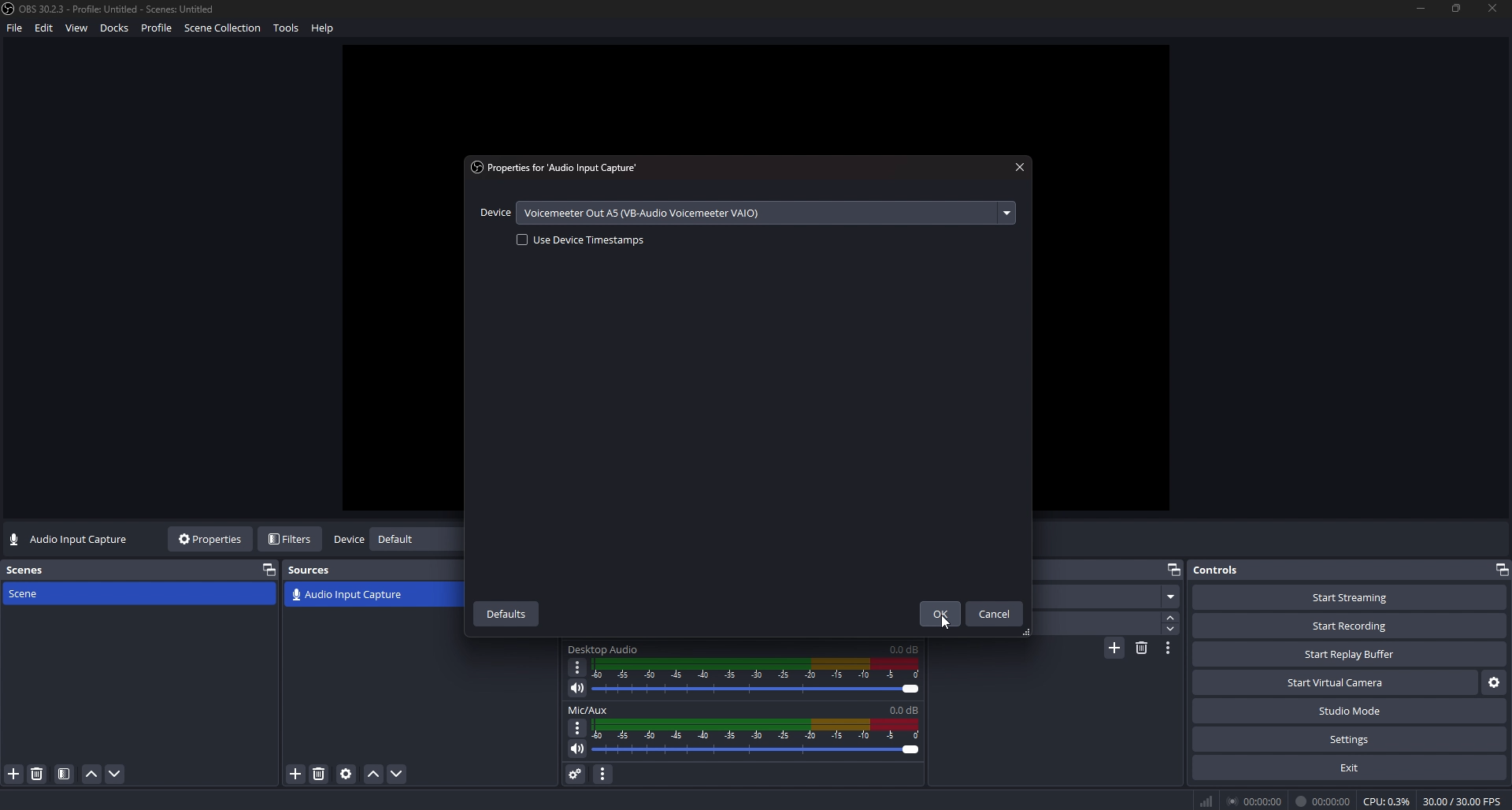  Describe the element at coordinates (496, 214) in the screenshot. I see `Device` at that location.